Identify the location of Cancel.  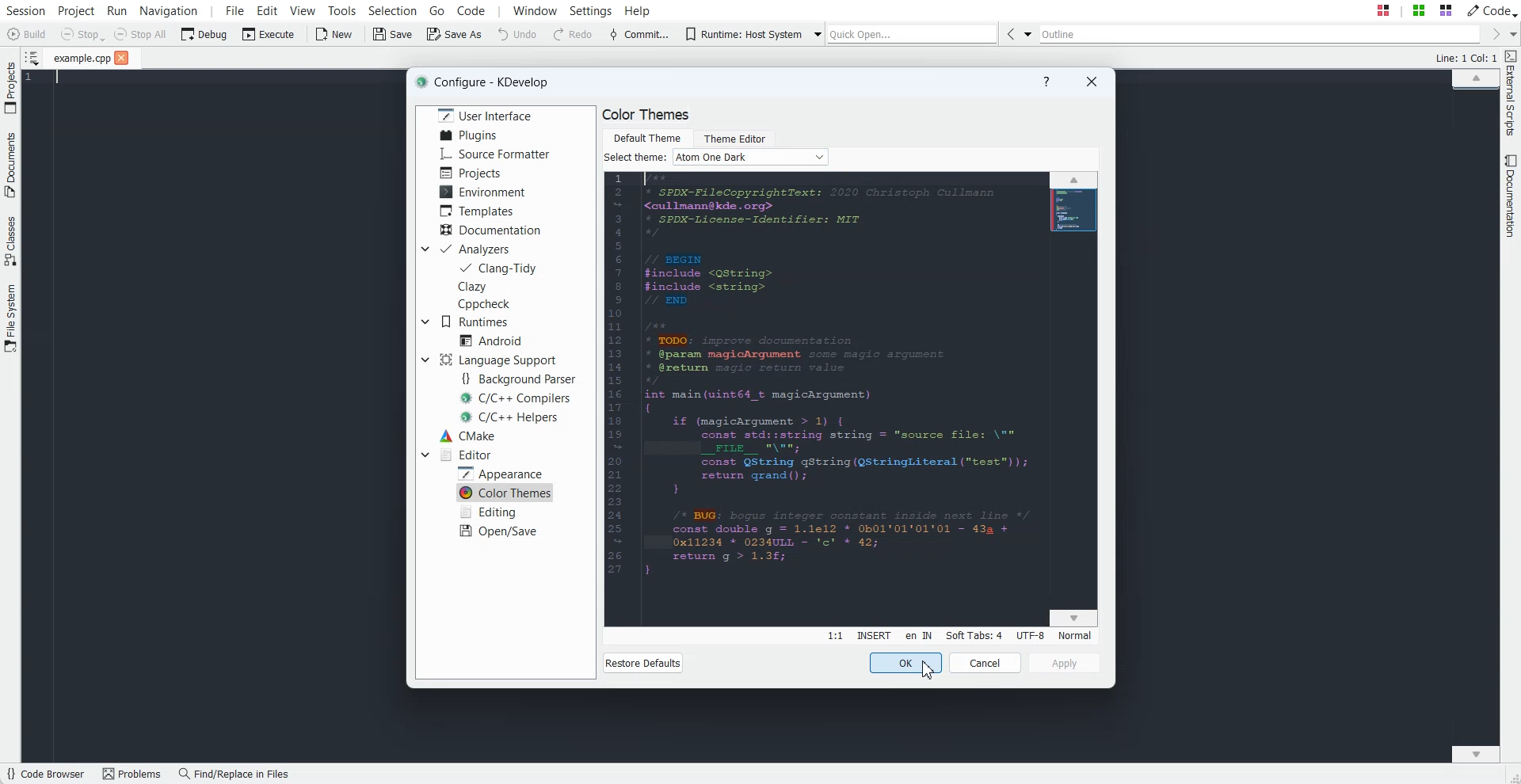
(985, 663).